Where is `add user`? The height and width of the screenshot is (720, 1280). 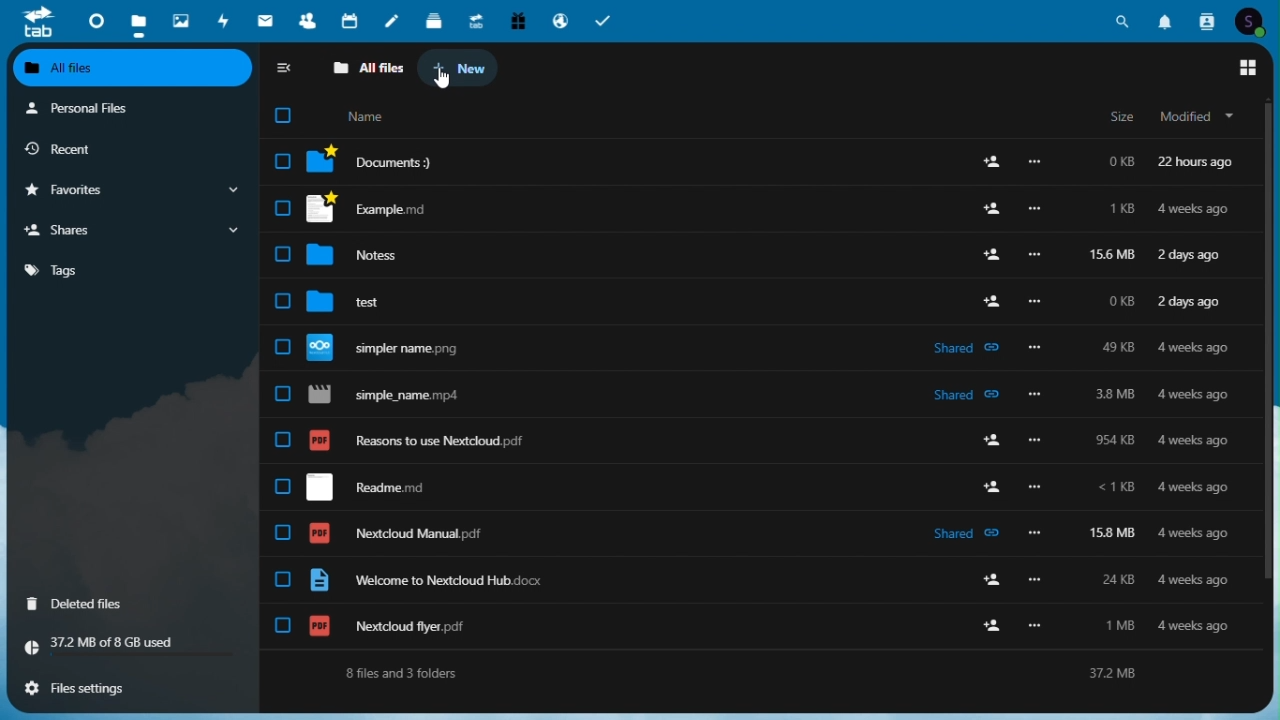
add user is located at coordinates (996, 580).